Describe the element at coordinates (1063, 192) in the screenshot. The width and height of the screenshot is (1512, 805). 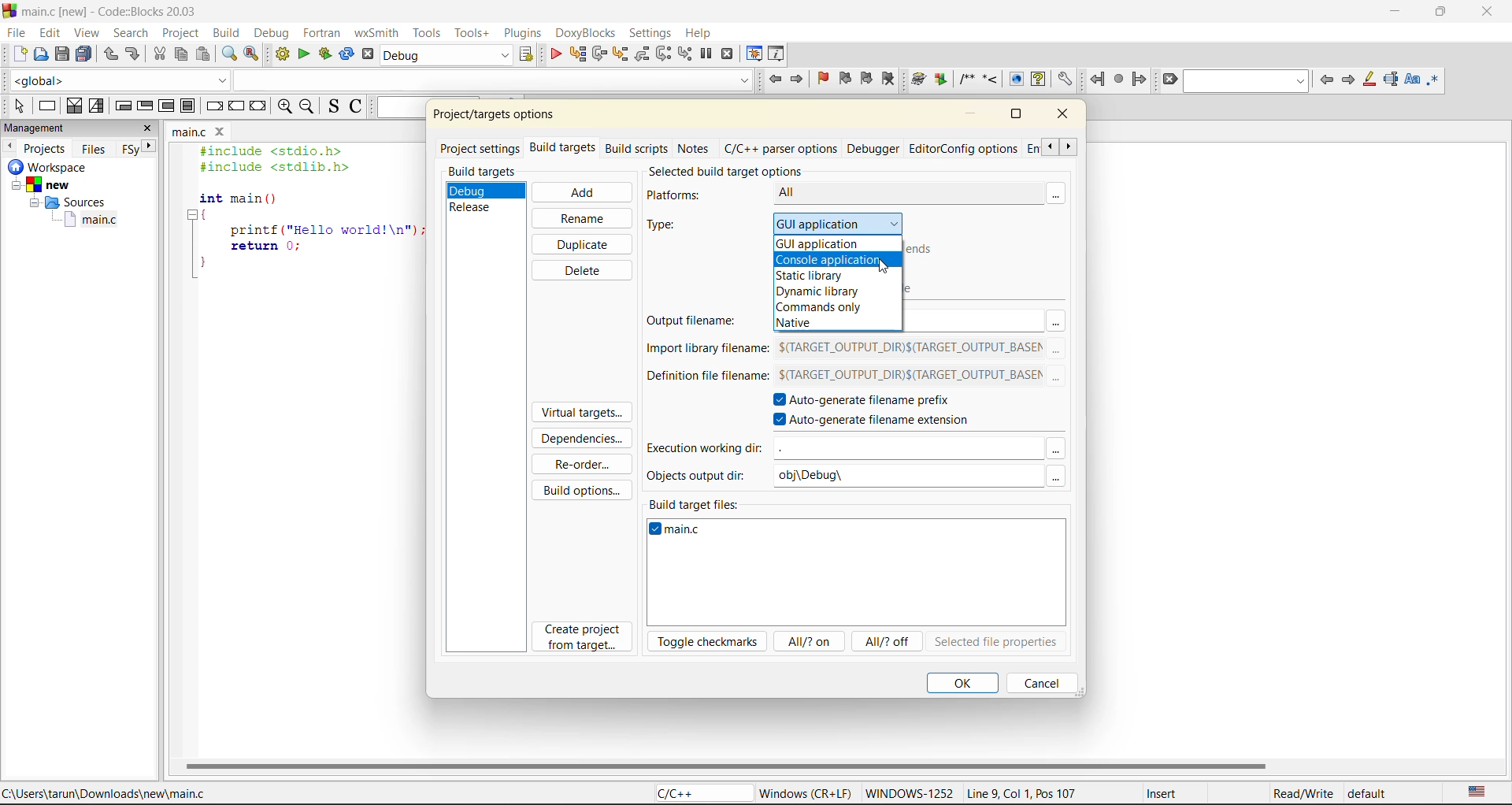
I see `More` at that location.